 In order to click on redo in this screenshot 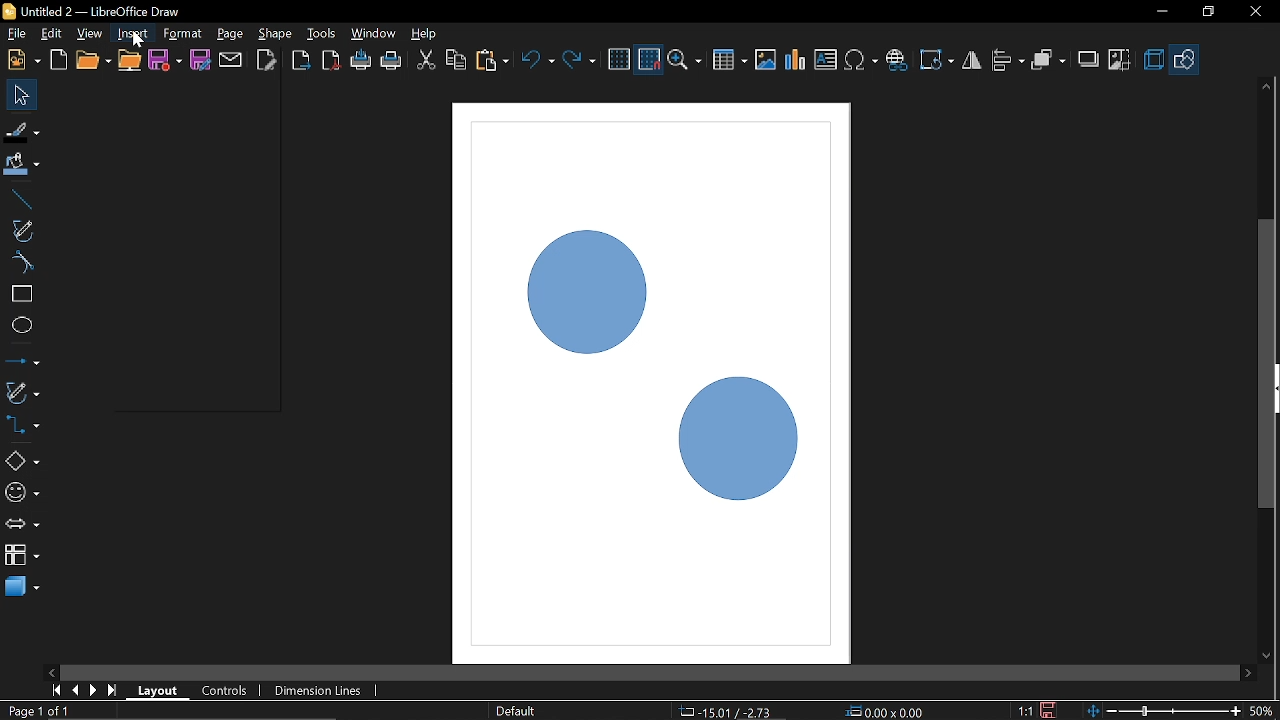, I will do `click(579, 60)`.